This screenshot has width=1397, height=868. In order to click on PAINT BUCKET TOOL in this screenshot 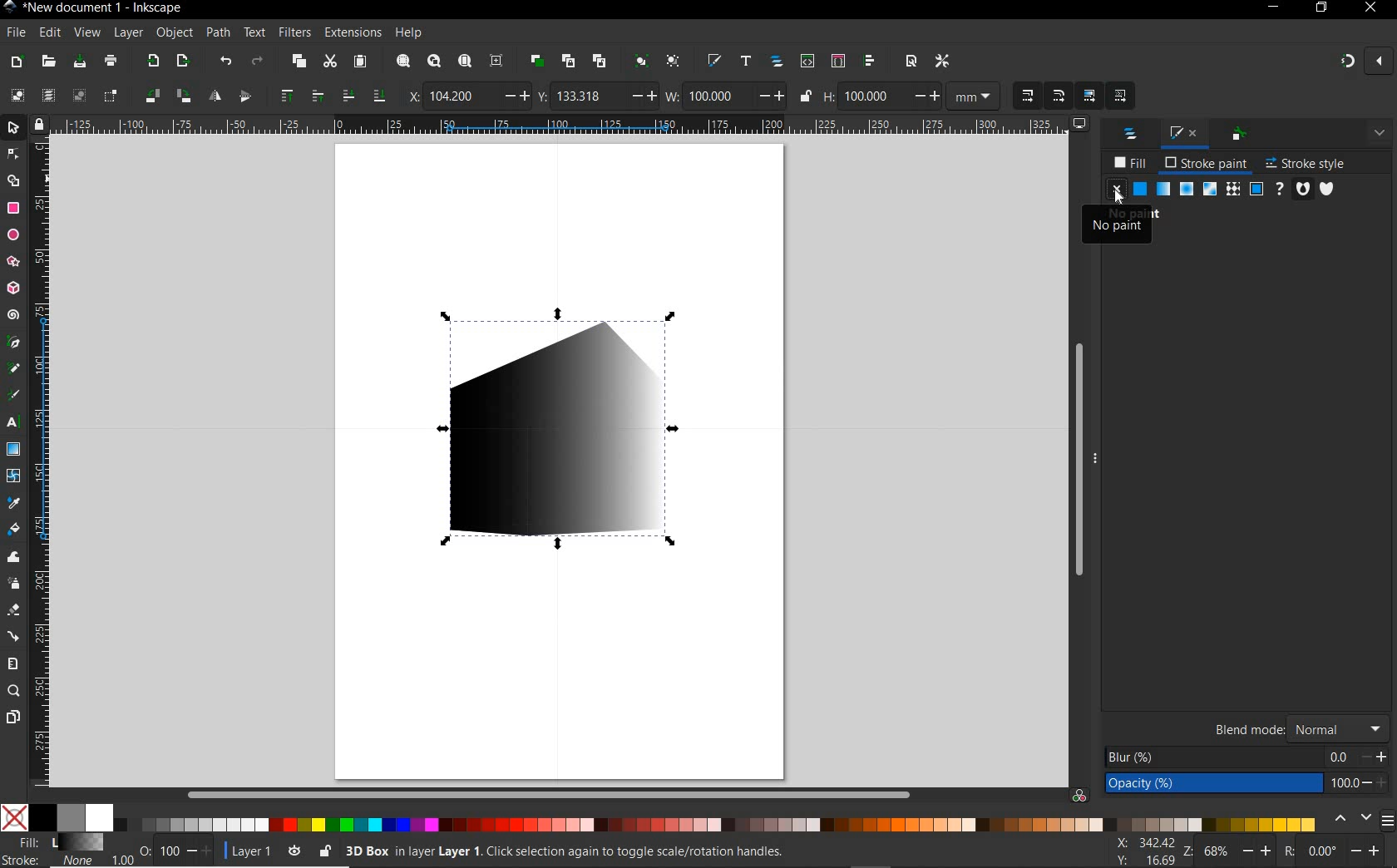, I will do `click(14, 530)`.